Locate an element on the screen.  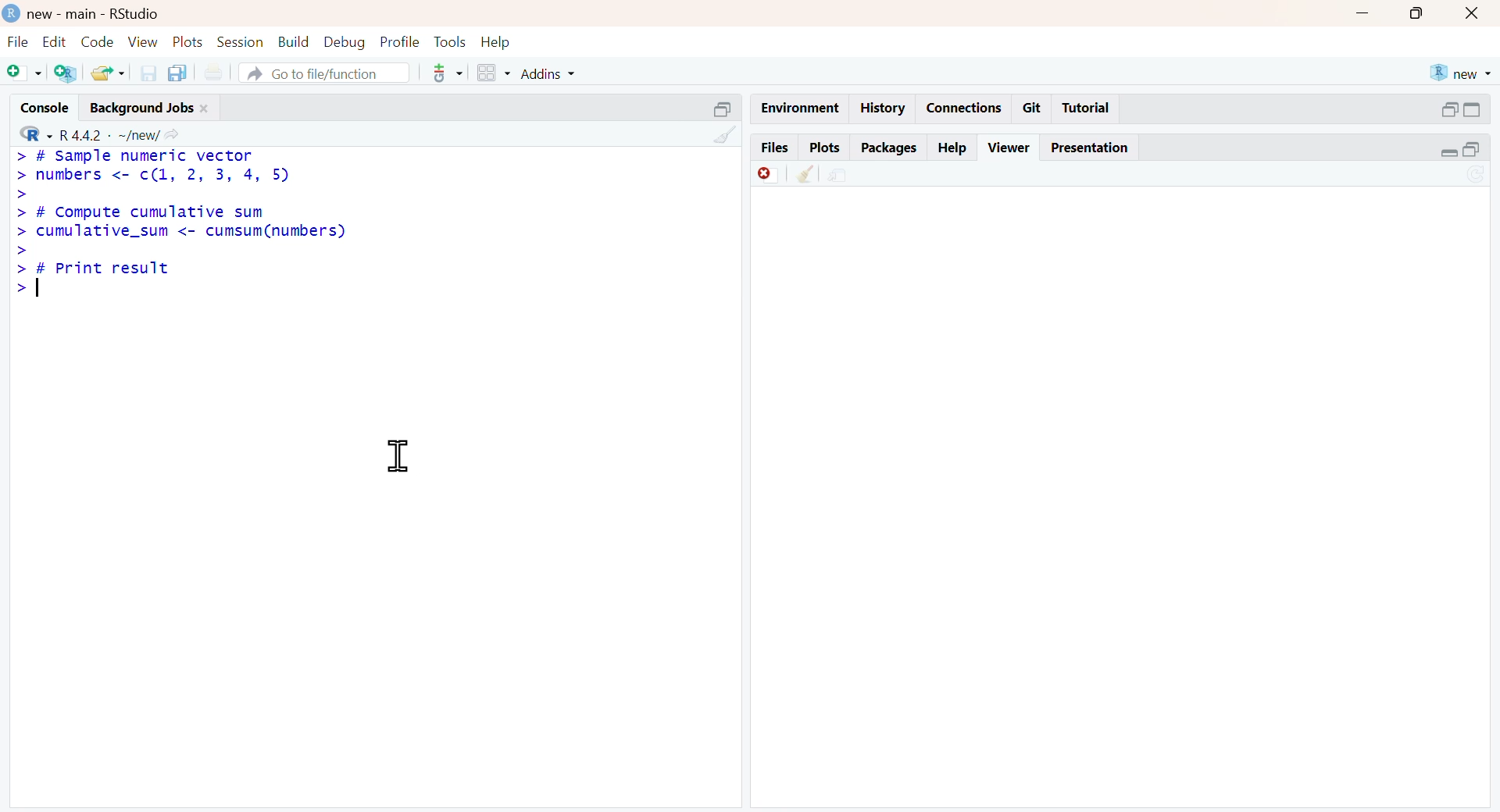
Packages is located at coordinates (891, 148).